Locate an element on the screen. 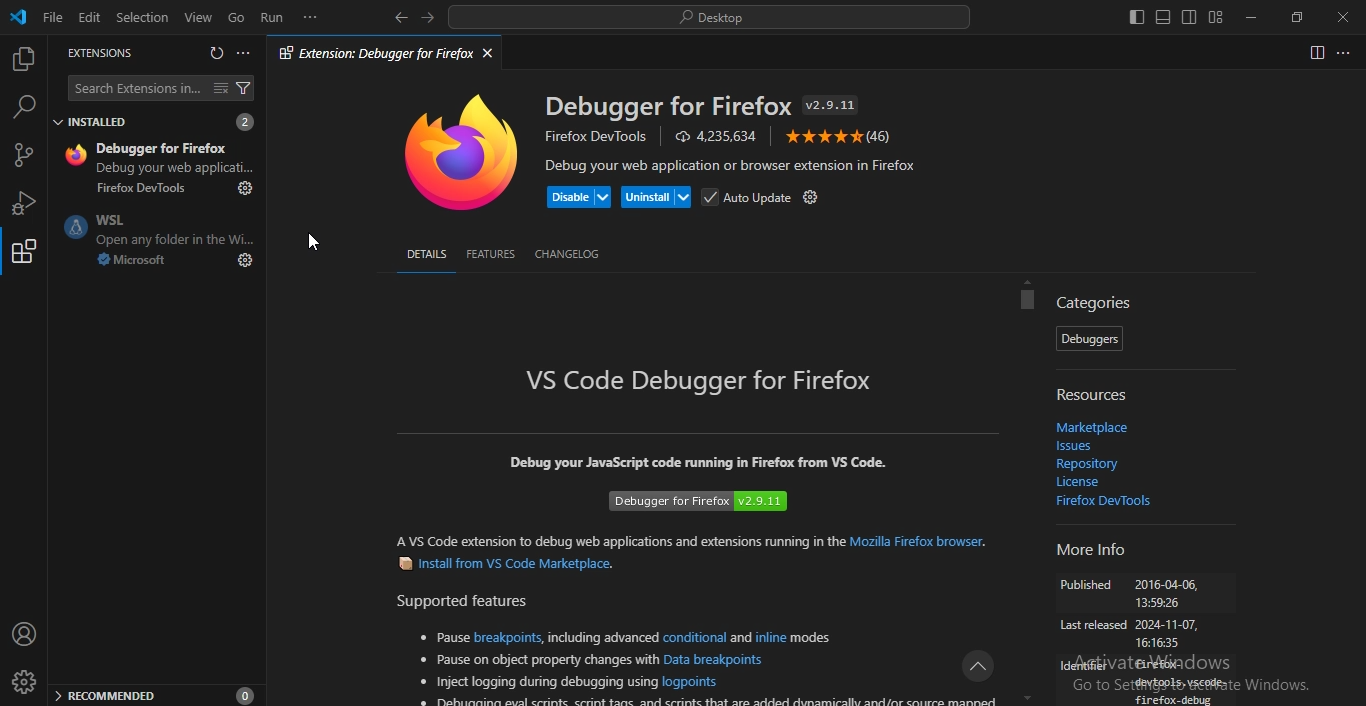 The height and width of the screenshot is (706, 1366). Debugger for Firefox is located at coordinates (669, 105).